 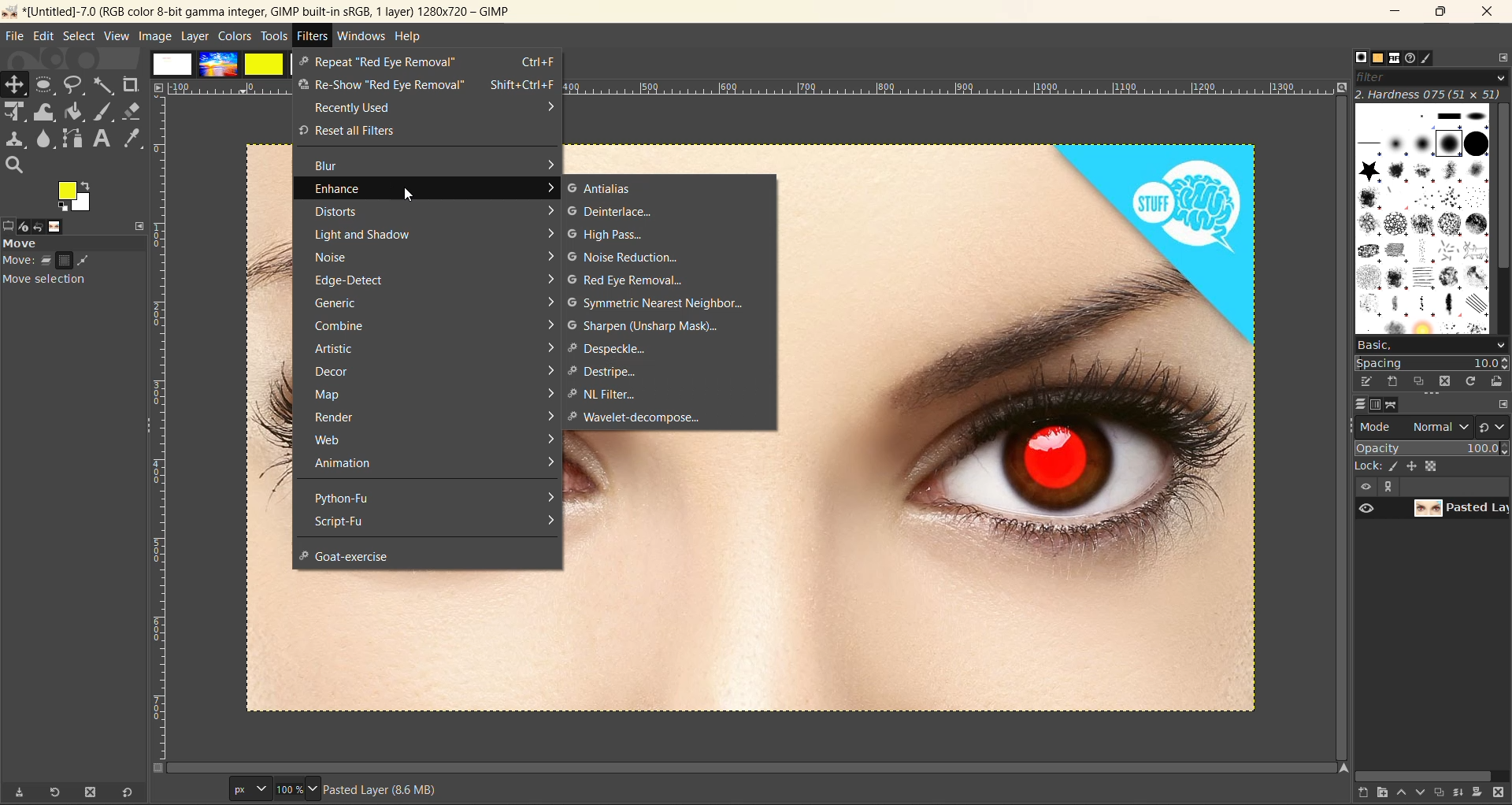 I want to click on high pass, so click(x=608, y=236).